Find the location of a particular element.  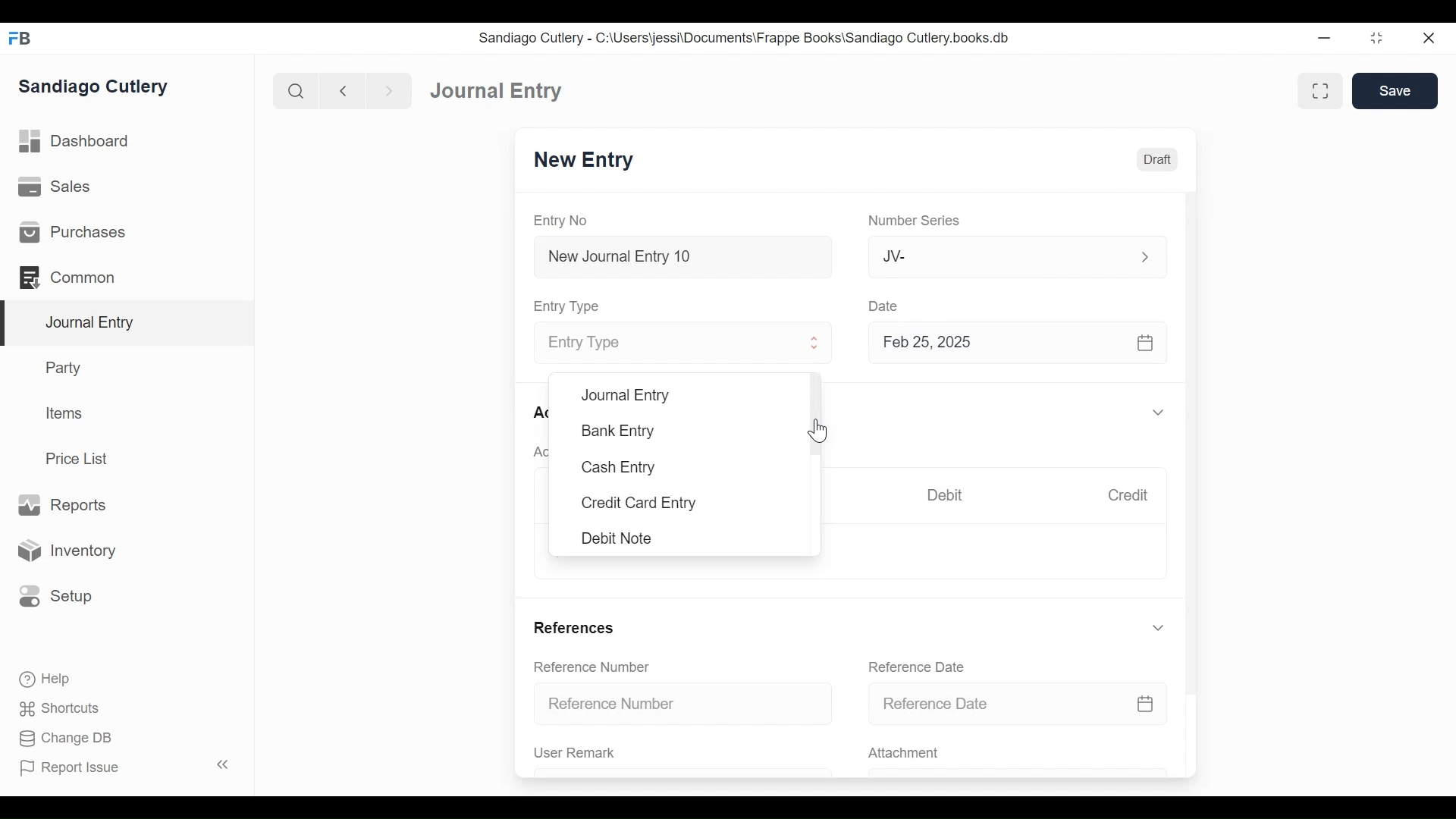

JV- is located at coordinates (998, 256).